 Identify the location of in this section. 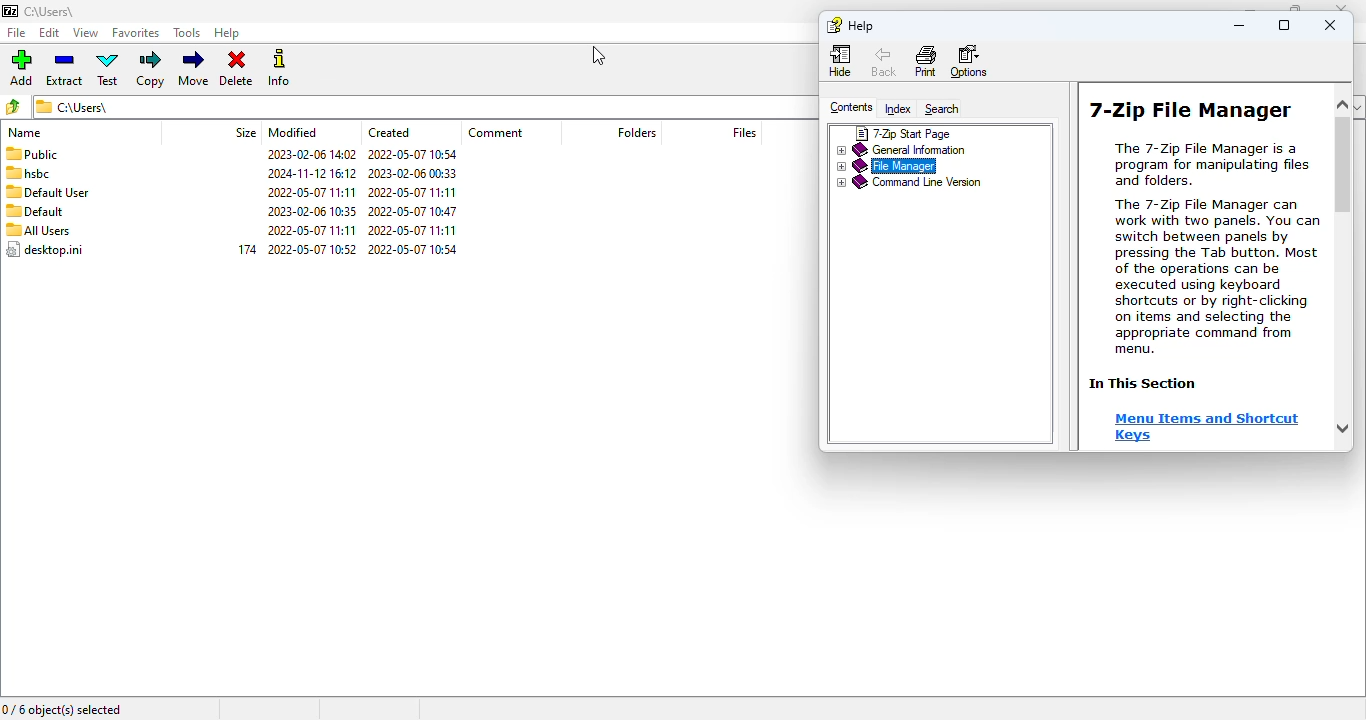
(1143, 384).